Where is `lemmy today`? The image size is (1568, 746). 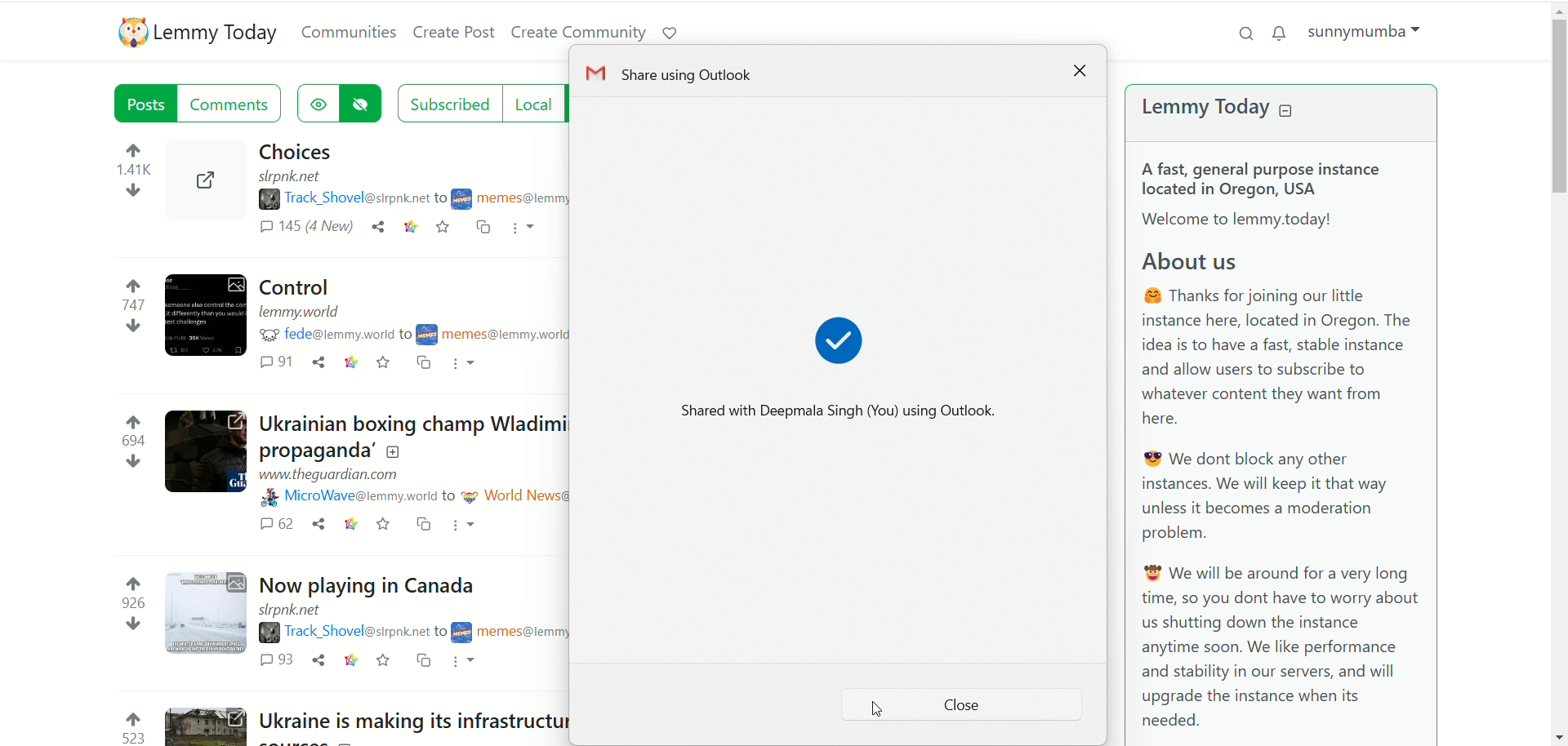 lemmy today is located at coordinates (1243, 109).